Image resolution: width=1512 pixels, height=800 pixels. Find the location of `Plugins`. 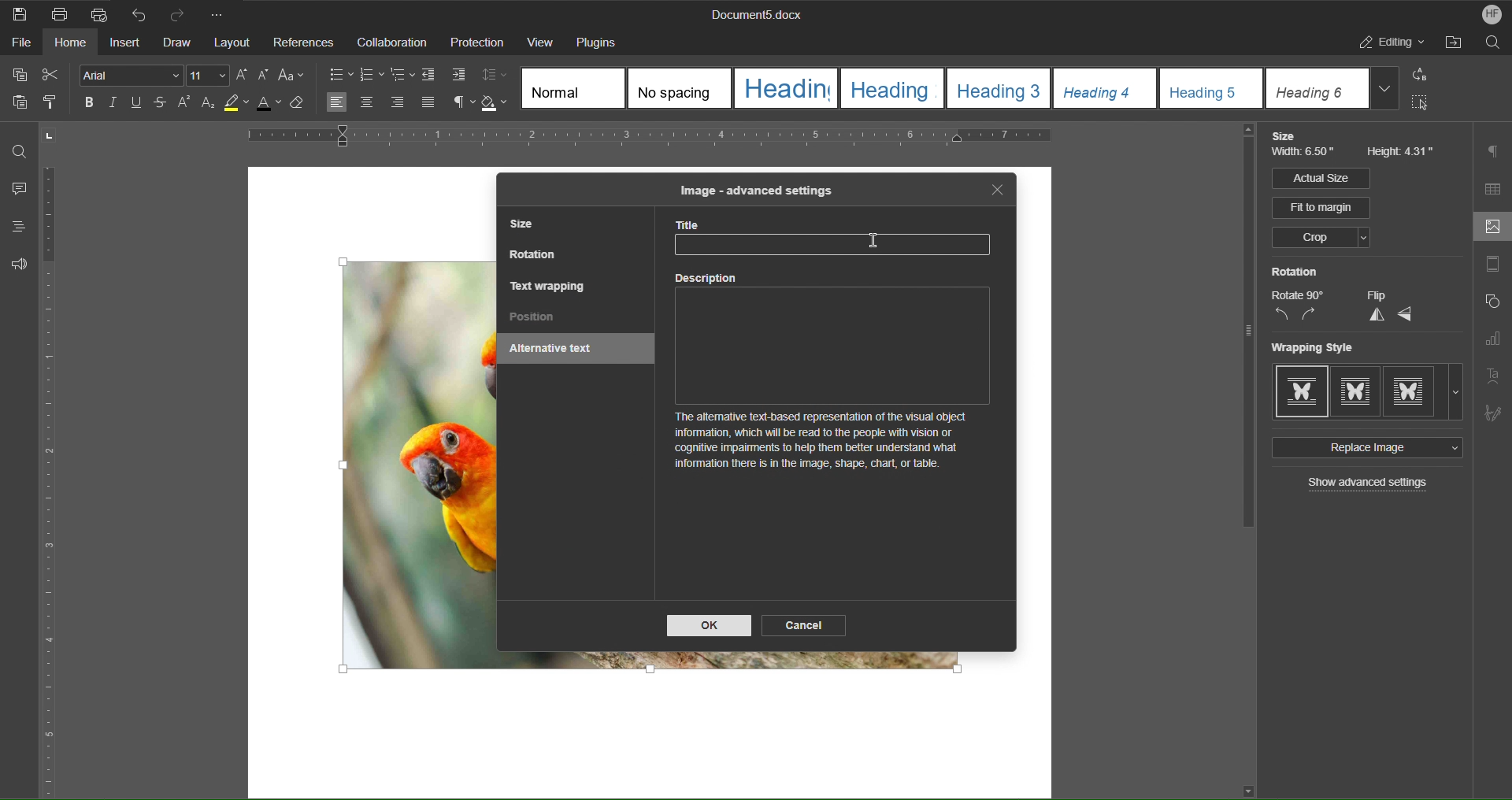

Plugins is located at coordinates (602, 41).